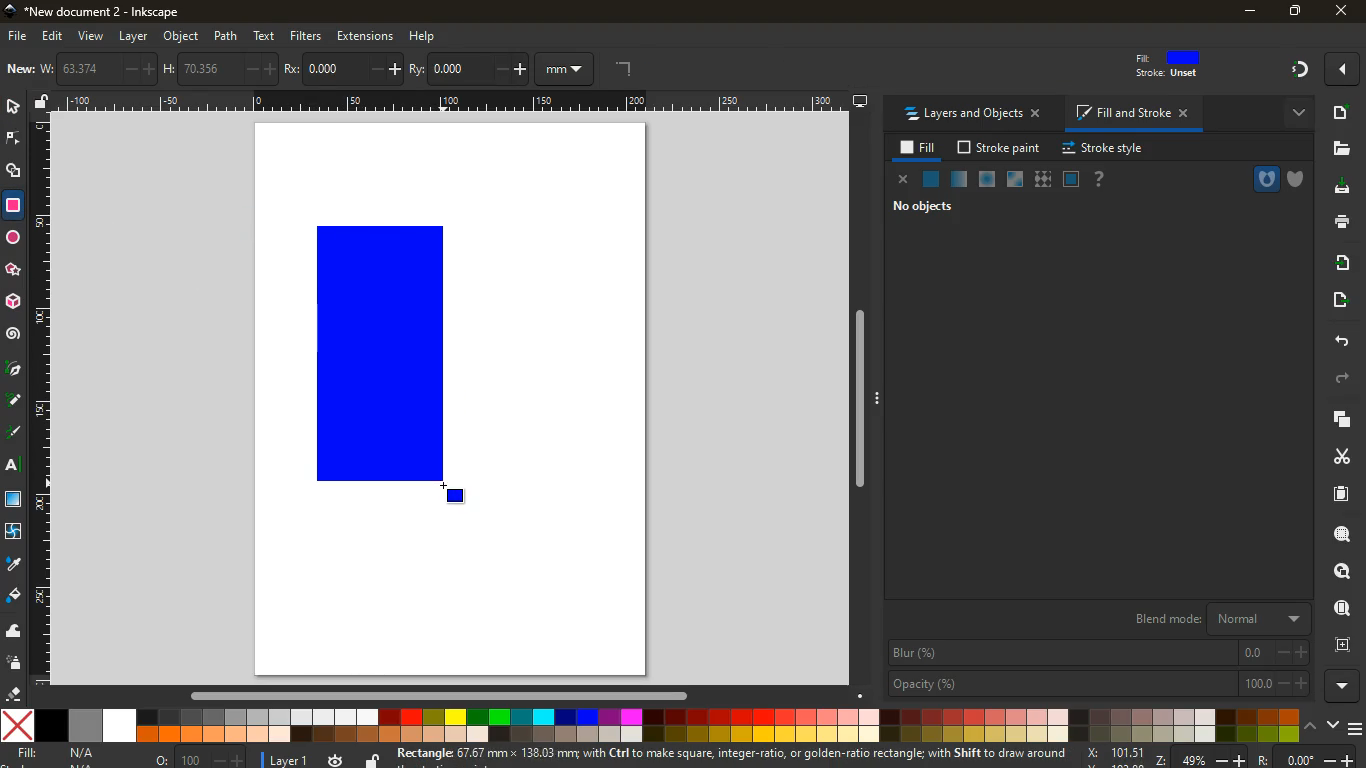  I want to click on path, so click(225, 36).